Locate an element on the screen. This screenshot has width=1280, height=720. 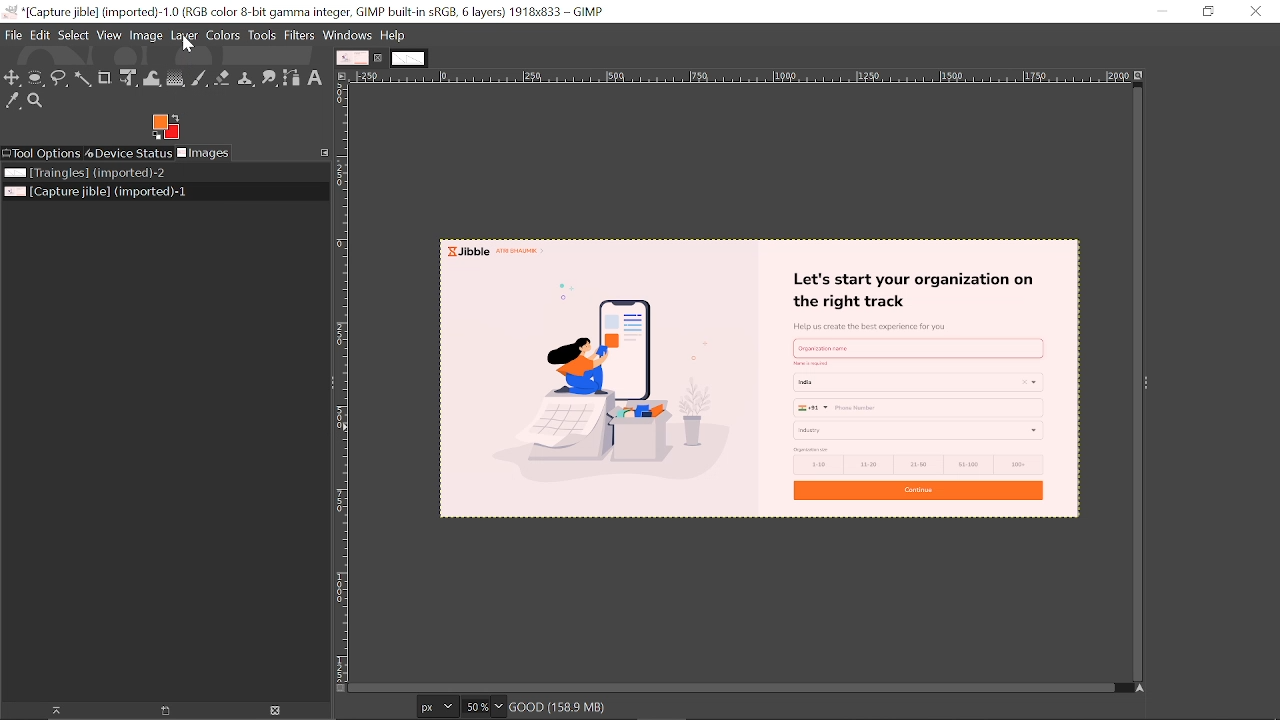
Images is located at coordinates (204, 153).